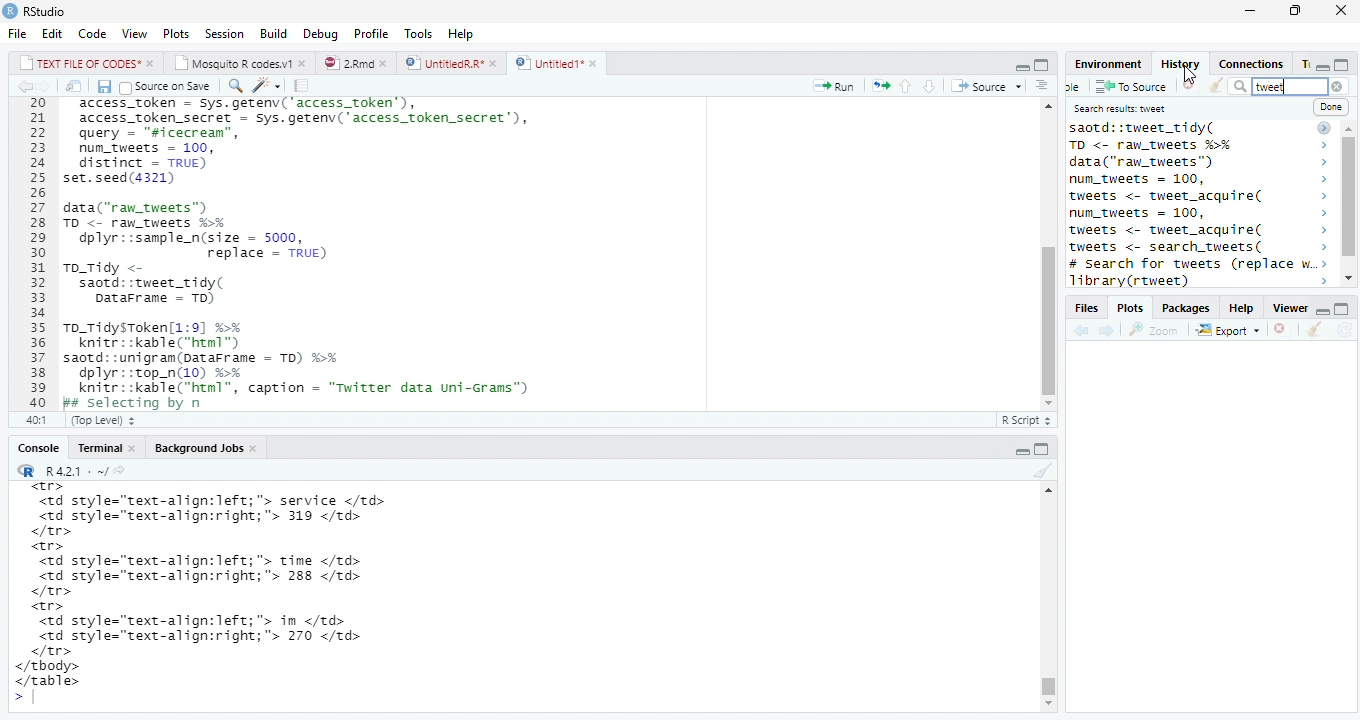  I want to click on Done, so click(1326, 105).